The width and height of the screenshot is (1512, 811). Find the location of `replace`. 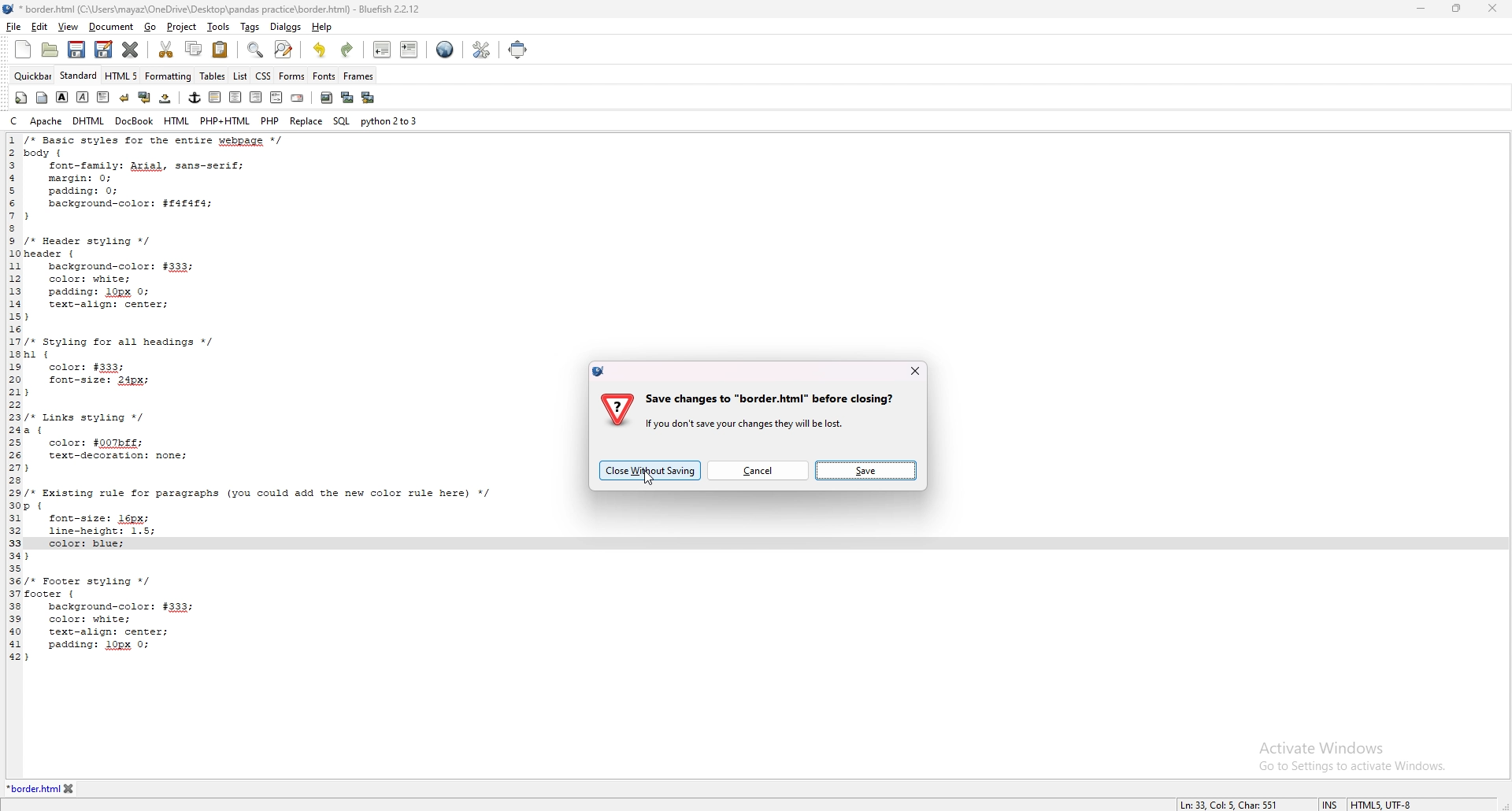

replace is located at coordinates (307, 121).